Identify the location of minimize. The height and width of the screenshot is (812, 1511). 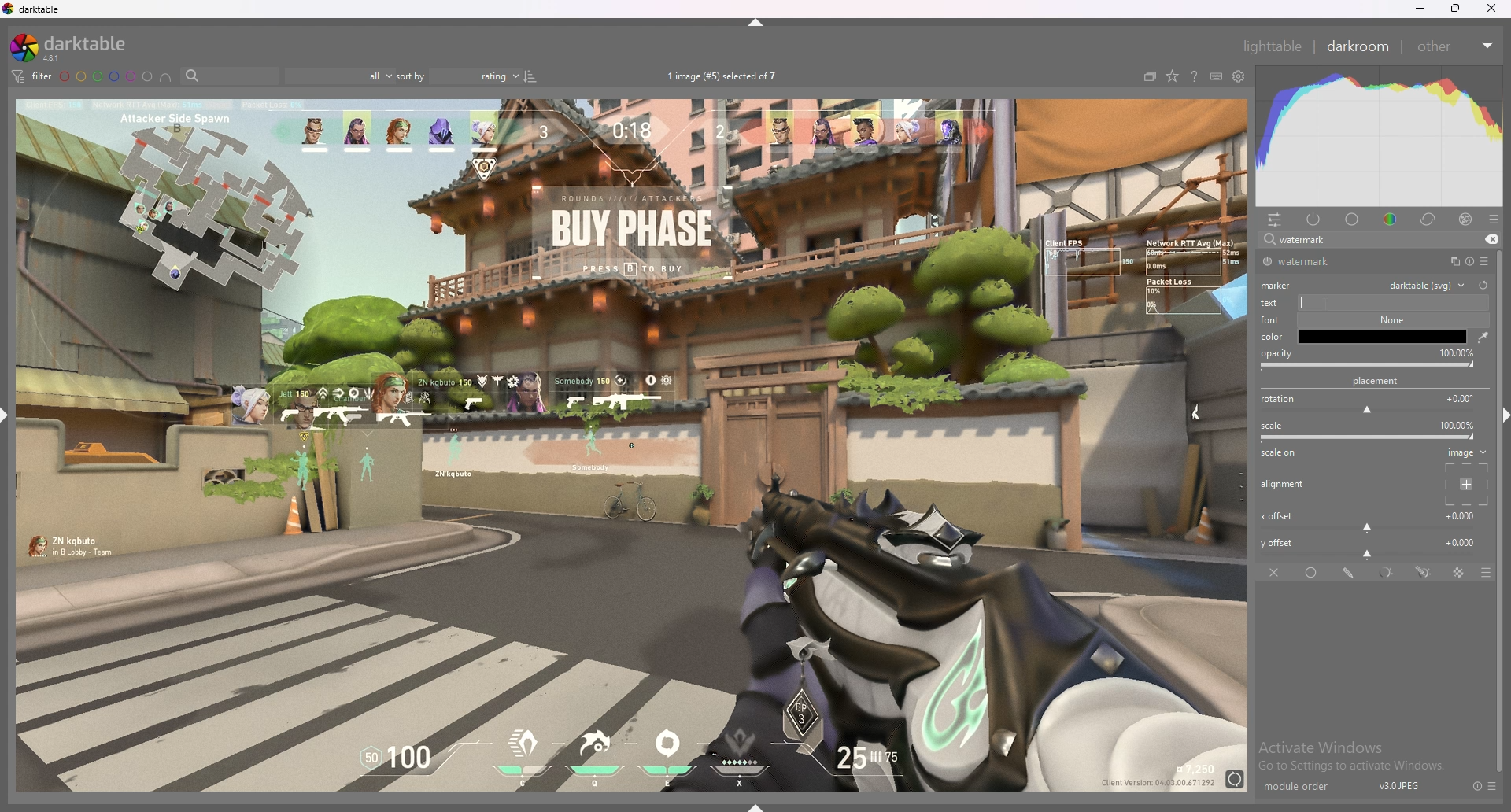
(1420, 9).